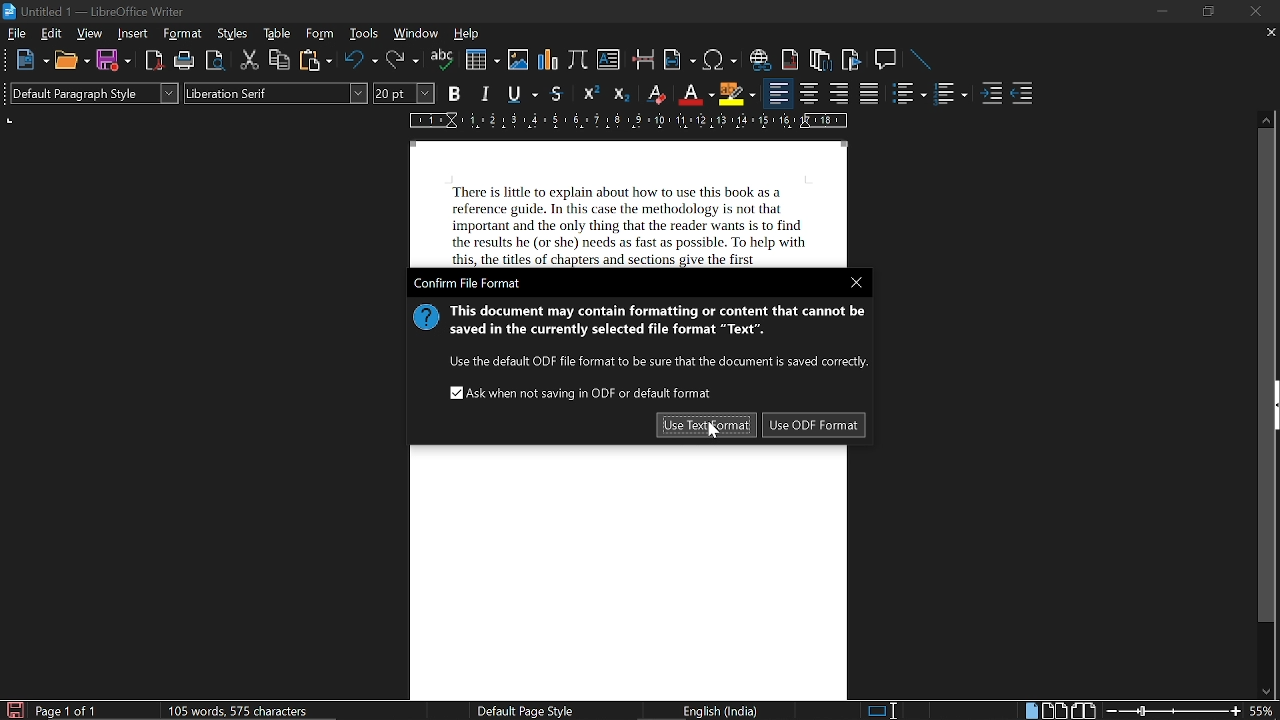 This screenshot has width=1280, height=720. I want to click on export as pdf, so click(155, 60).